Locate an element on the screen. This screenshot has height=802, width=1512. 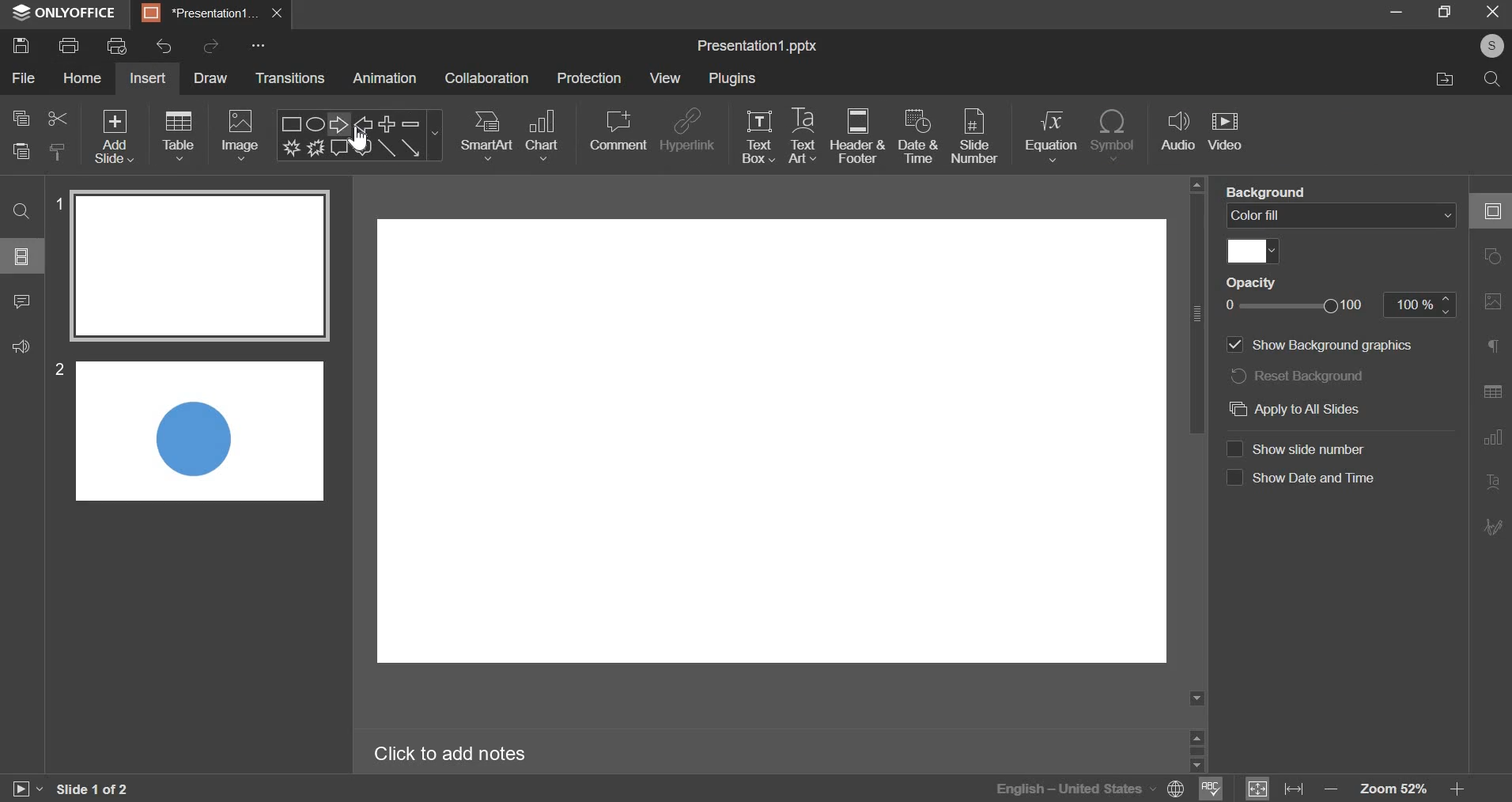
slide editor (empty) is located at coordinates (773, 441).